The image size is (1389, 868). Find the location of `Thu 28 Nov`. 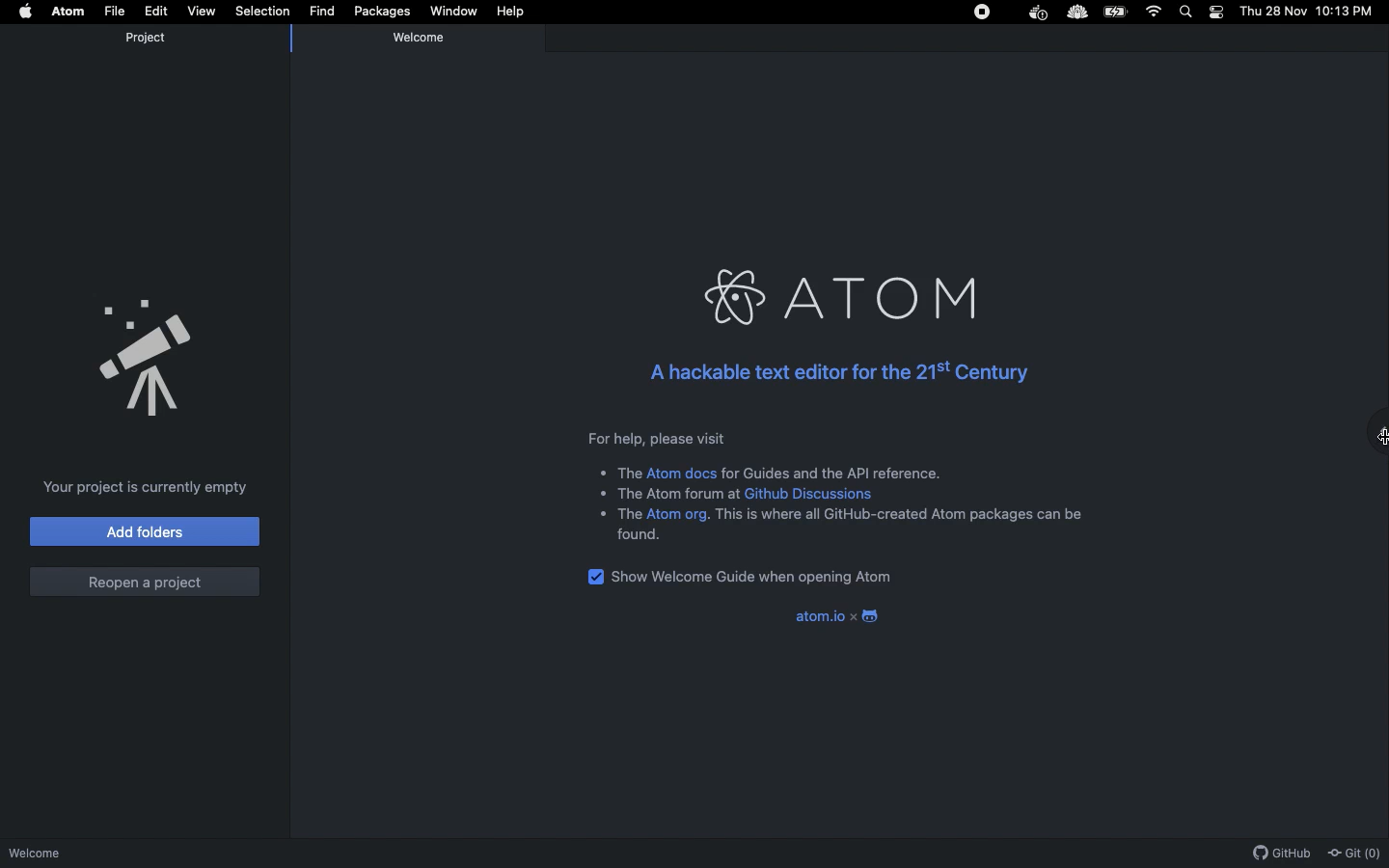

Thu 28 Nov is located at coordinates (1274, 13).